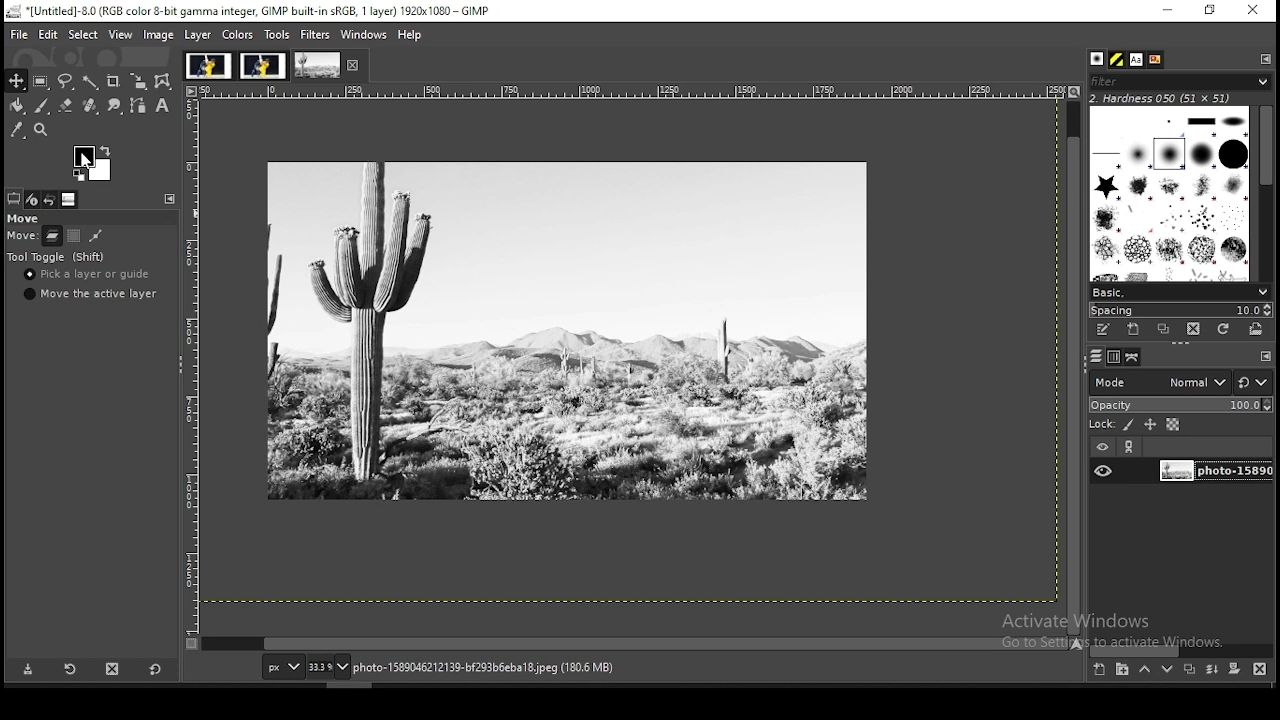  Describe the element at coordinates (74, 235) in the screenshot. I see `move channels` at that location.